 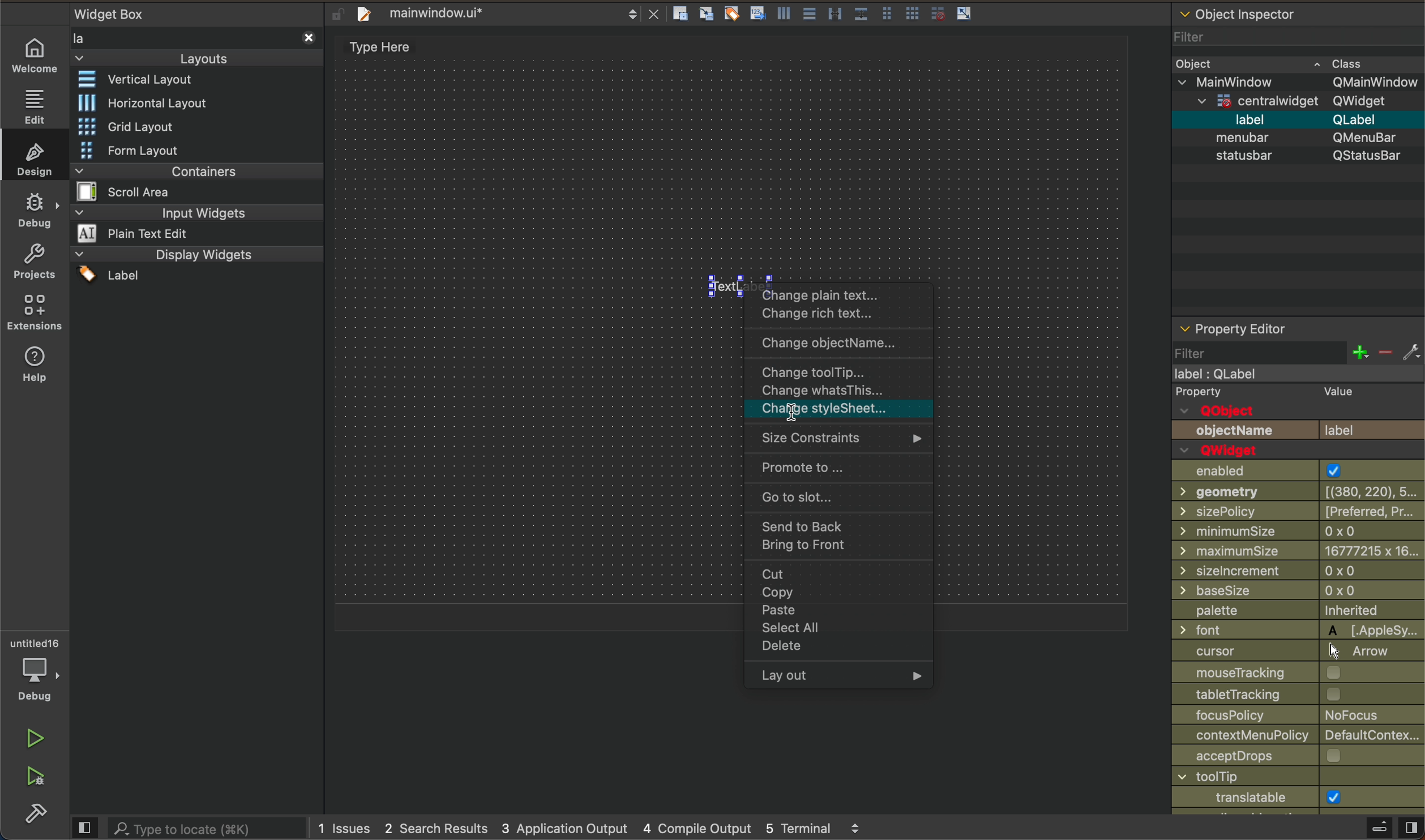 What do you see at coordinates (1294, 738) in the screenshot?
I see `contextual` at bounding box center [1294, 738].